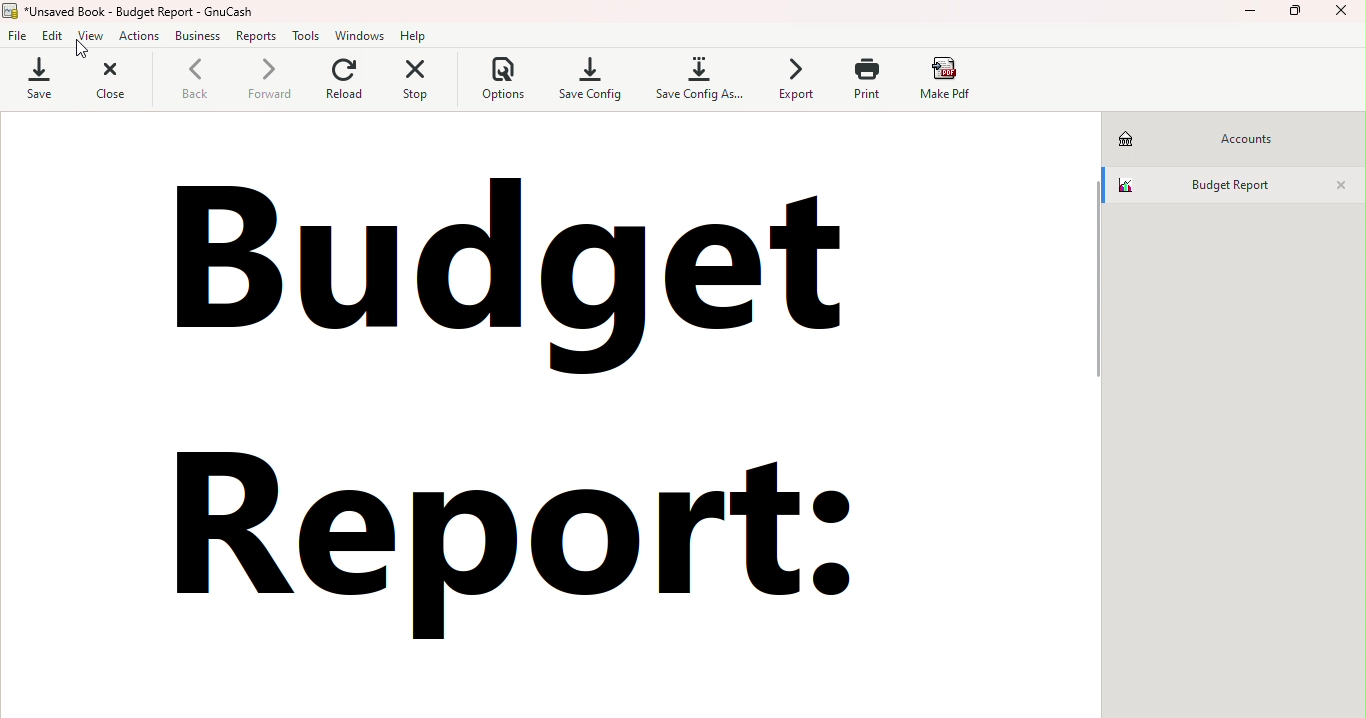 The height and width of the screenshot is (718, 1366). Describe the element at coordinates (1220, 137) in the screenshot. I see `Accounts` at that location.